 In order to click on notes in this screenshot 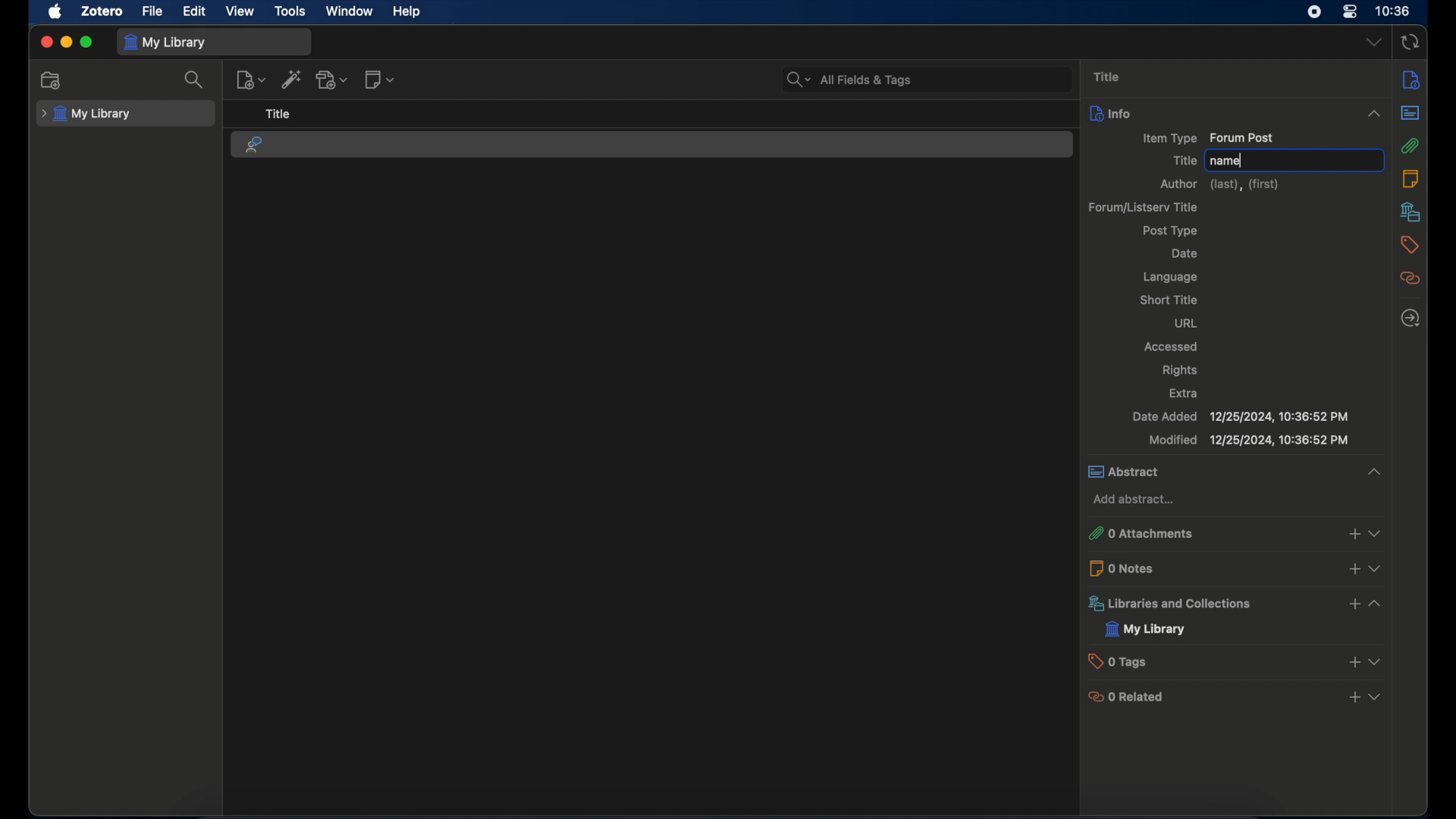, I will do `click(1410, 178)`.